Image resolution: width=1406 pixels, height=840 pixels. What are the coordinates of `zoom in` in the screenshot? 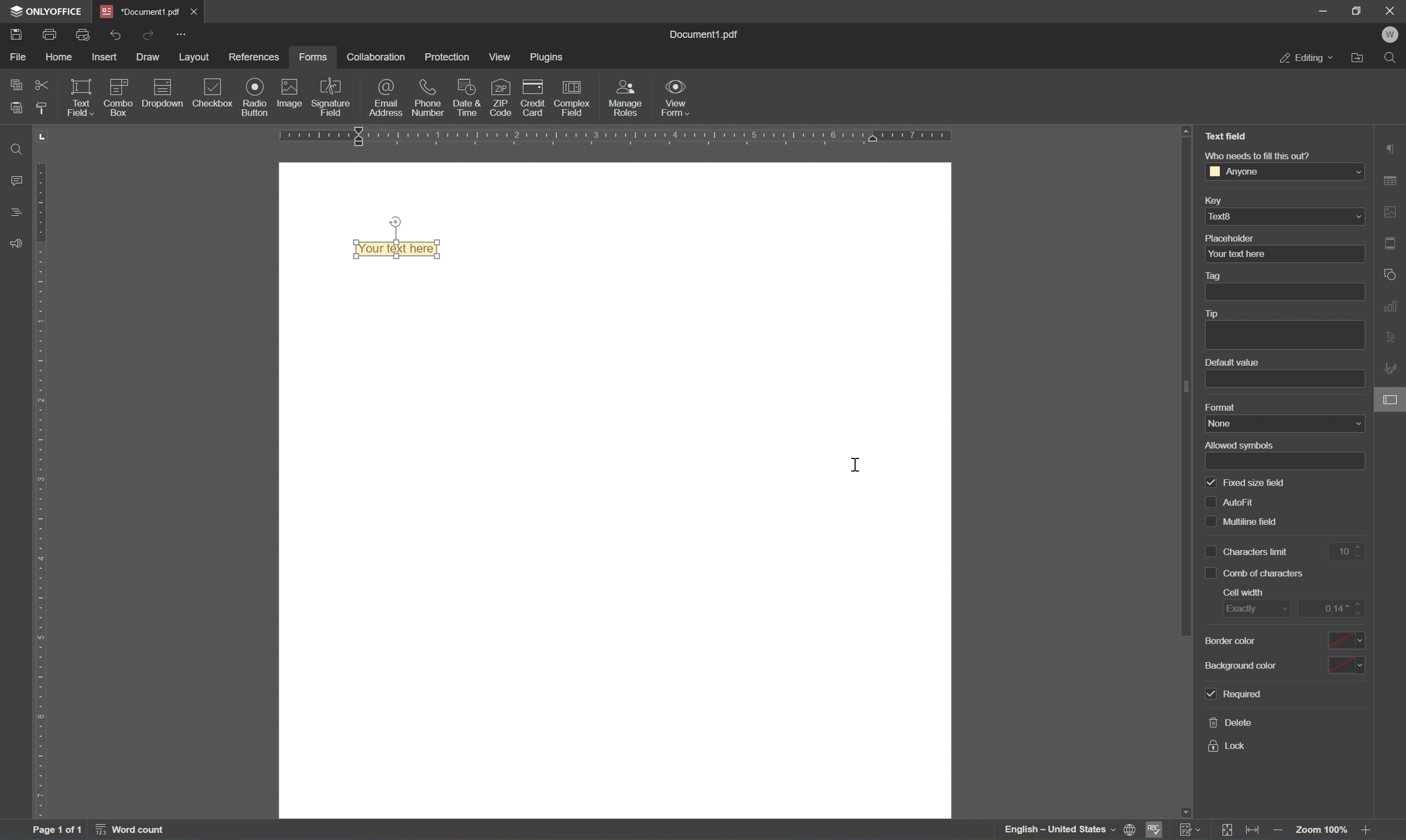 It's located at (1369, 831).